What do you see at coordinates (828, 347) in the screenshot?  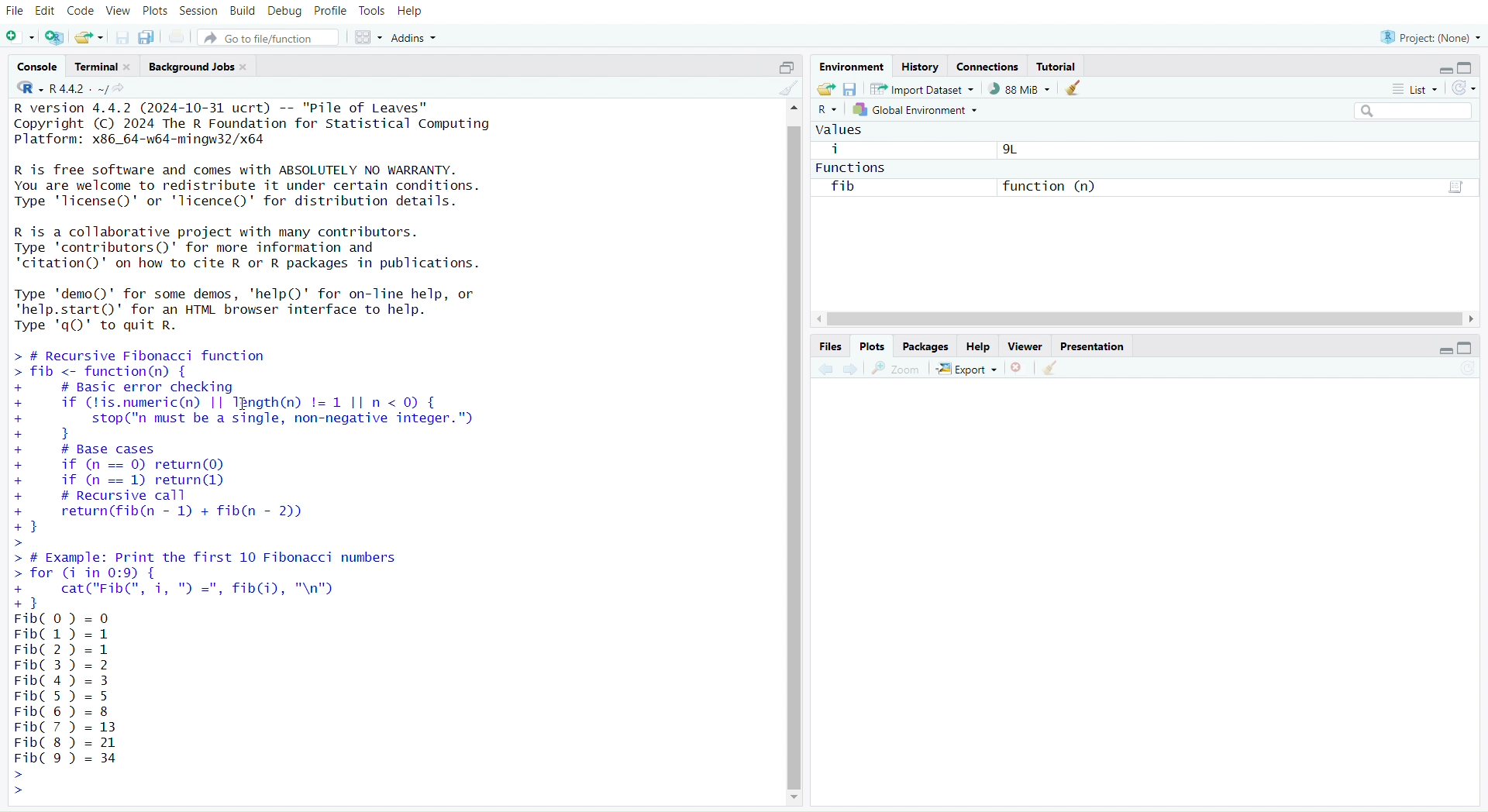 I see `files` at bounding box center [828, 347].